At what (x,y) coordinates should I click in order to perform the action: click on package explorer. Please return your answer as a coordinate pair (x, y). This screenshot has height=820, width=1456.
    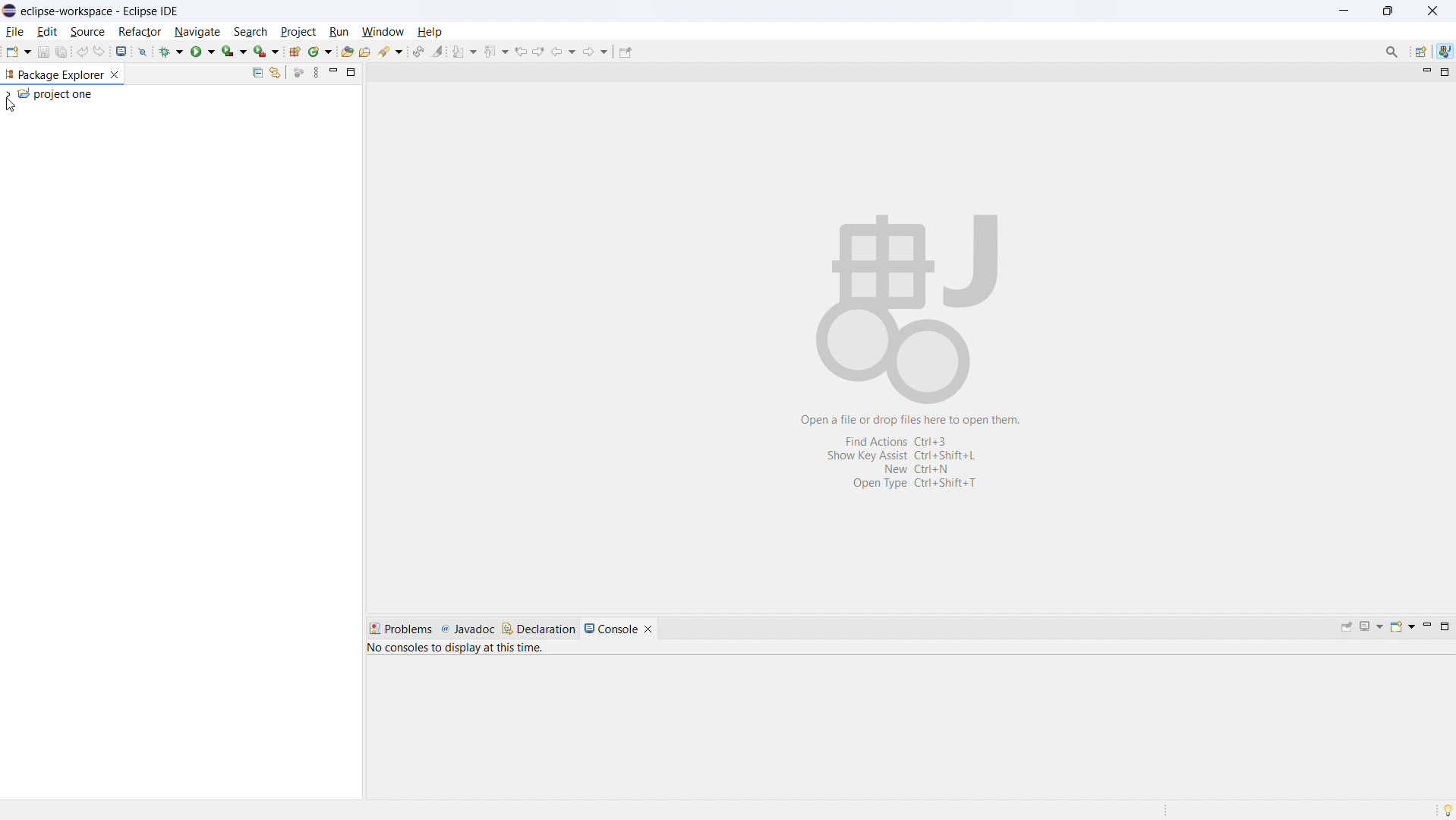
    Looking at the image, I should click on (55, 74).